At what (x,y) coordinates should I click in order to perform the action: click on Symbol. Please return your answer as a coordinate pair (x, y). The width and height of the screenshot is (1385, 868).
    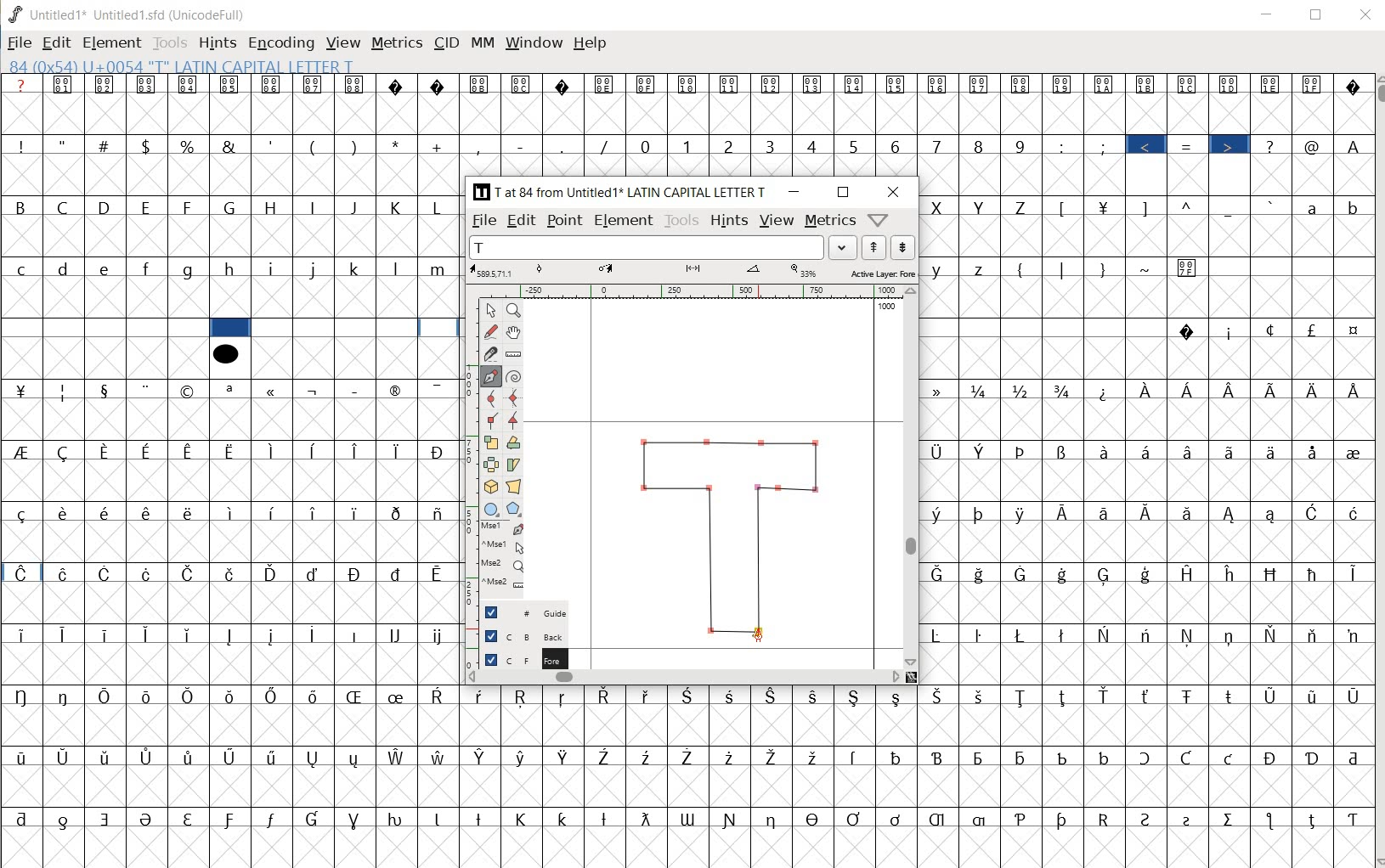
    Looking at the image, I should click on (1189, 84).